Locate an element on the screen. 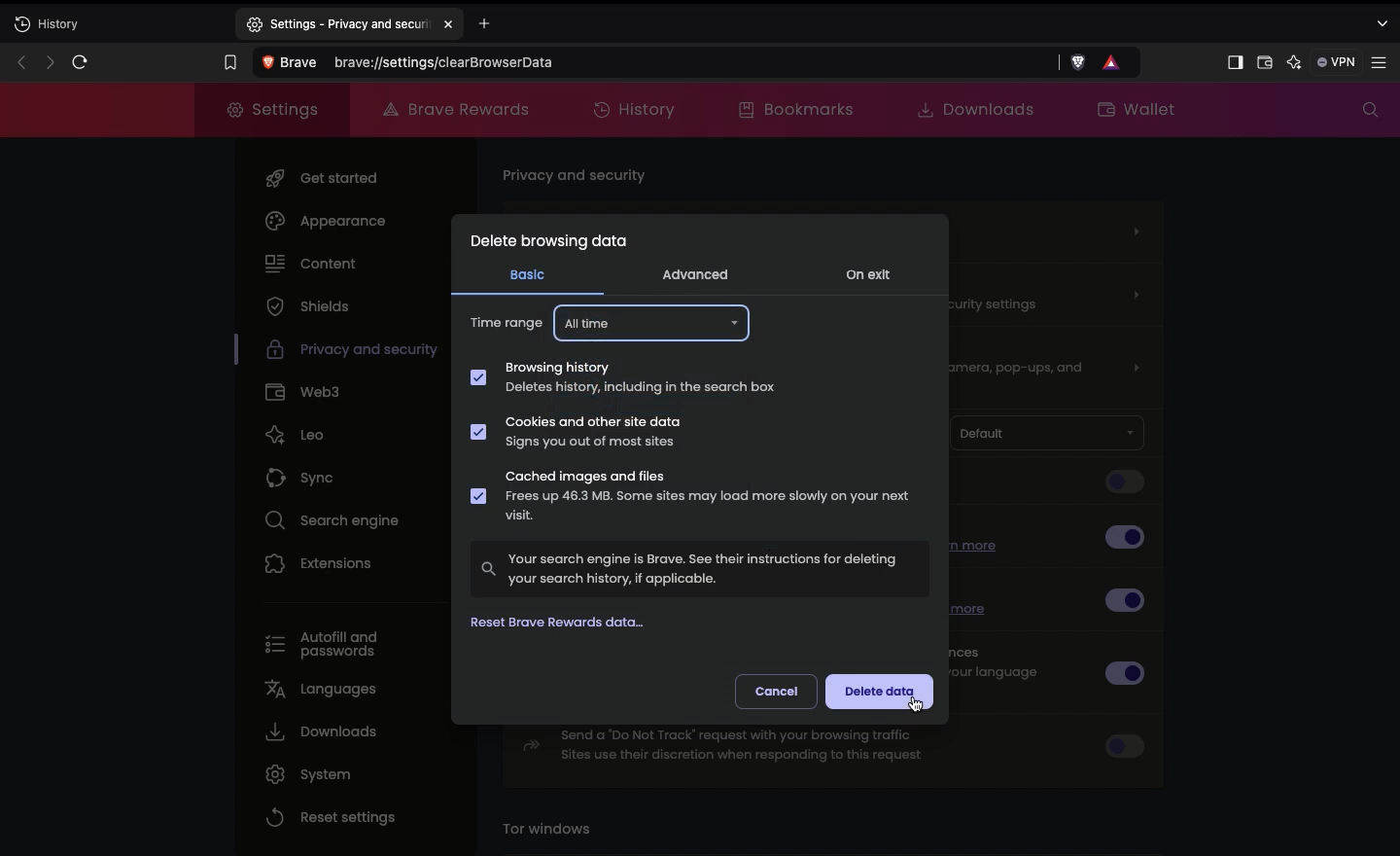 Image resolution: width=1400 pixels, height=856 pixels. brave shield is located at coordinates (1080, 62).